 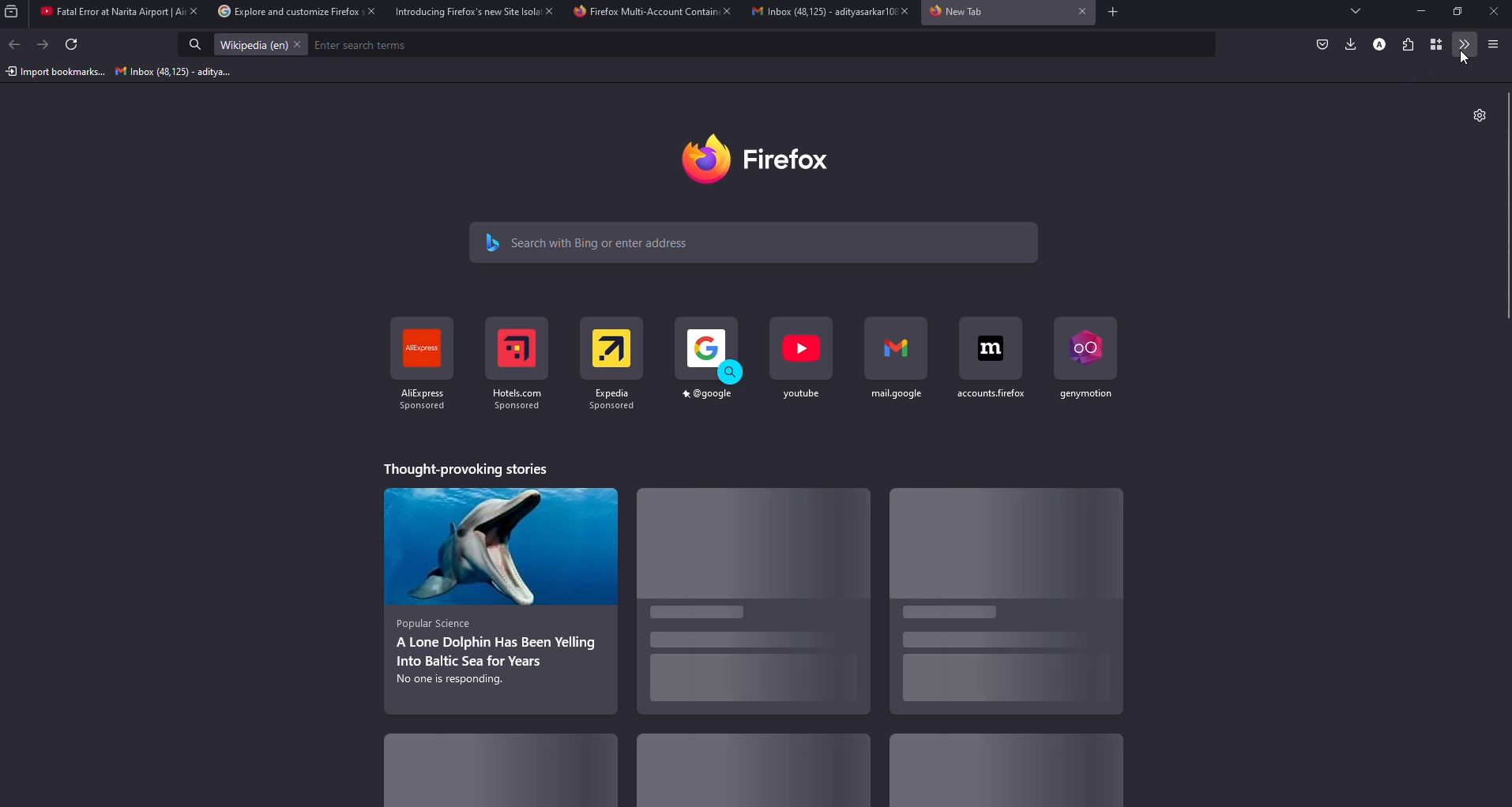 I want to click on shortcut, so click(x=709, y=360).